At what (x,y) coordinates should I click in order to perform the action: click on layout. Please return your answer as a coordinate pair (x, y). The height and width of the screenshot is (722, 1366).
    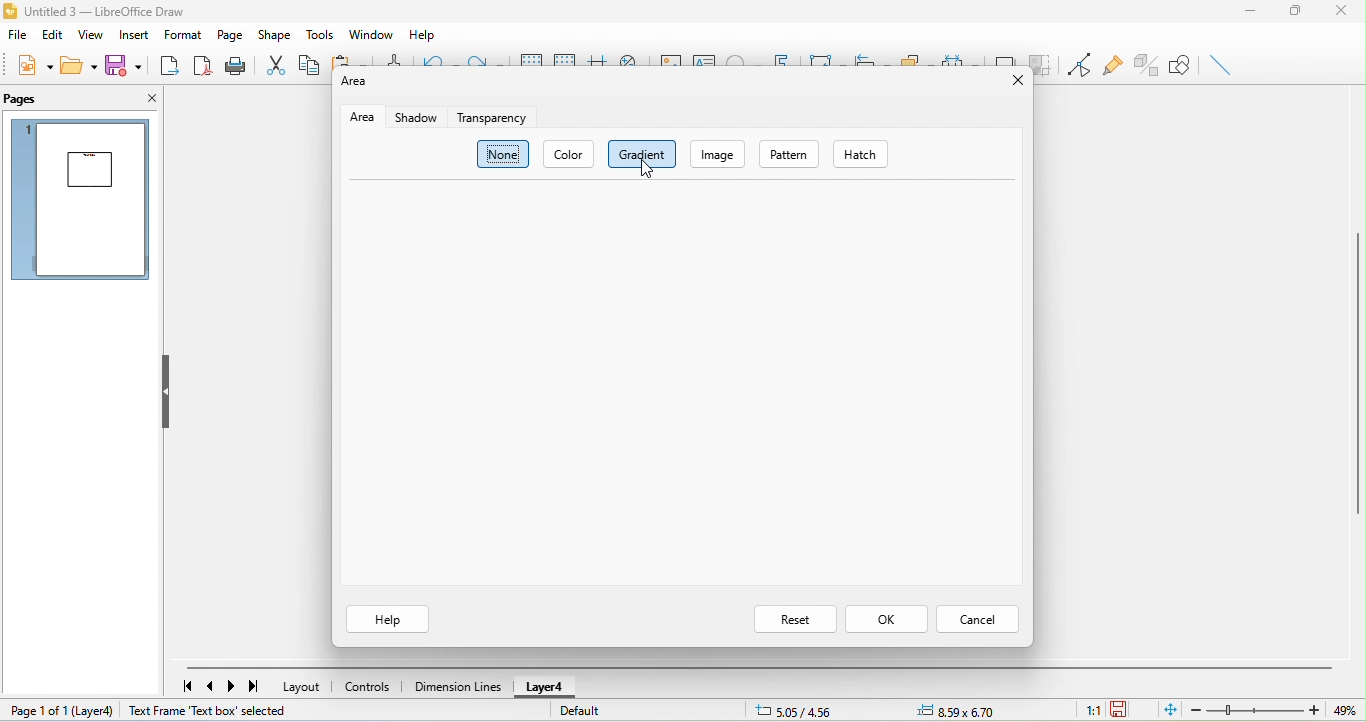
    Looking at the image, I should click on (304, 686).